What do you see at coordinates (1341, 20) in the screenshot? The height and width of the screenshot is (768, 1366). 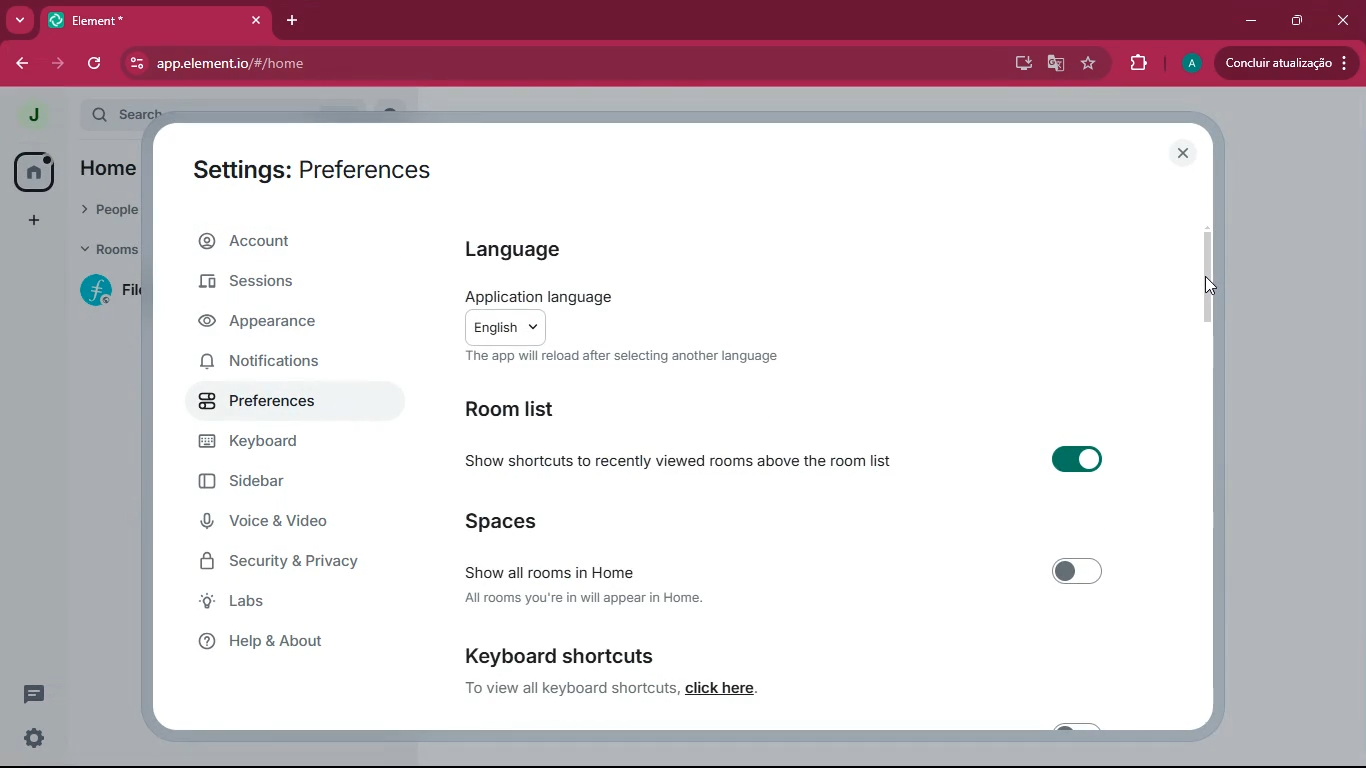 I see `close` at bounding box center [1341, 20].